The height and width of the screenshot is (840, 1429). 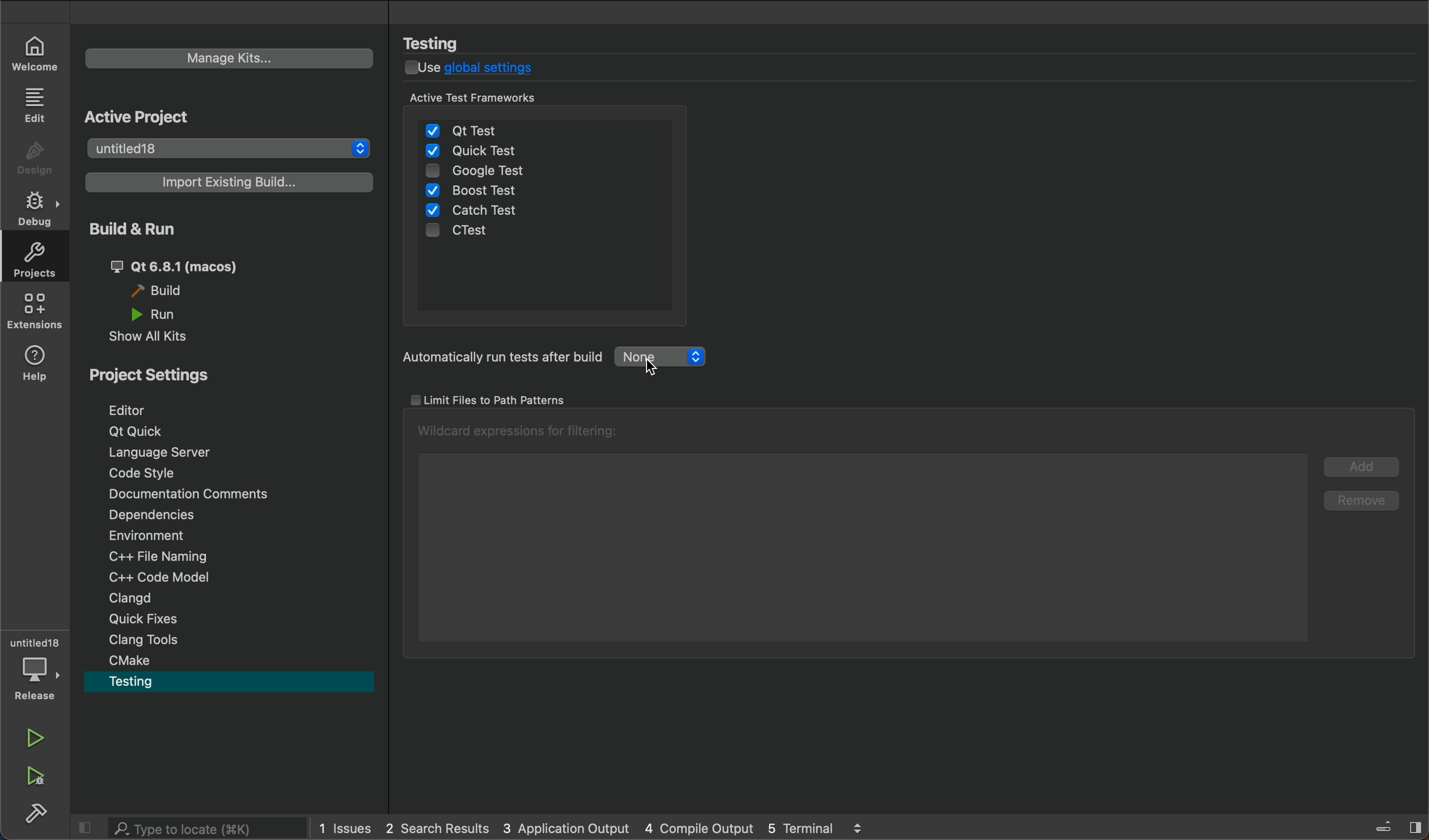 I want to click on active project, so click(x=166, y=117).